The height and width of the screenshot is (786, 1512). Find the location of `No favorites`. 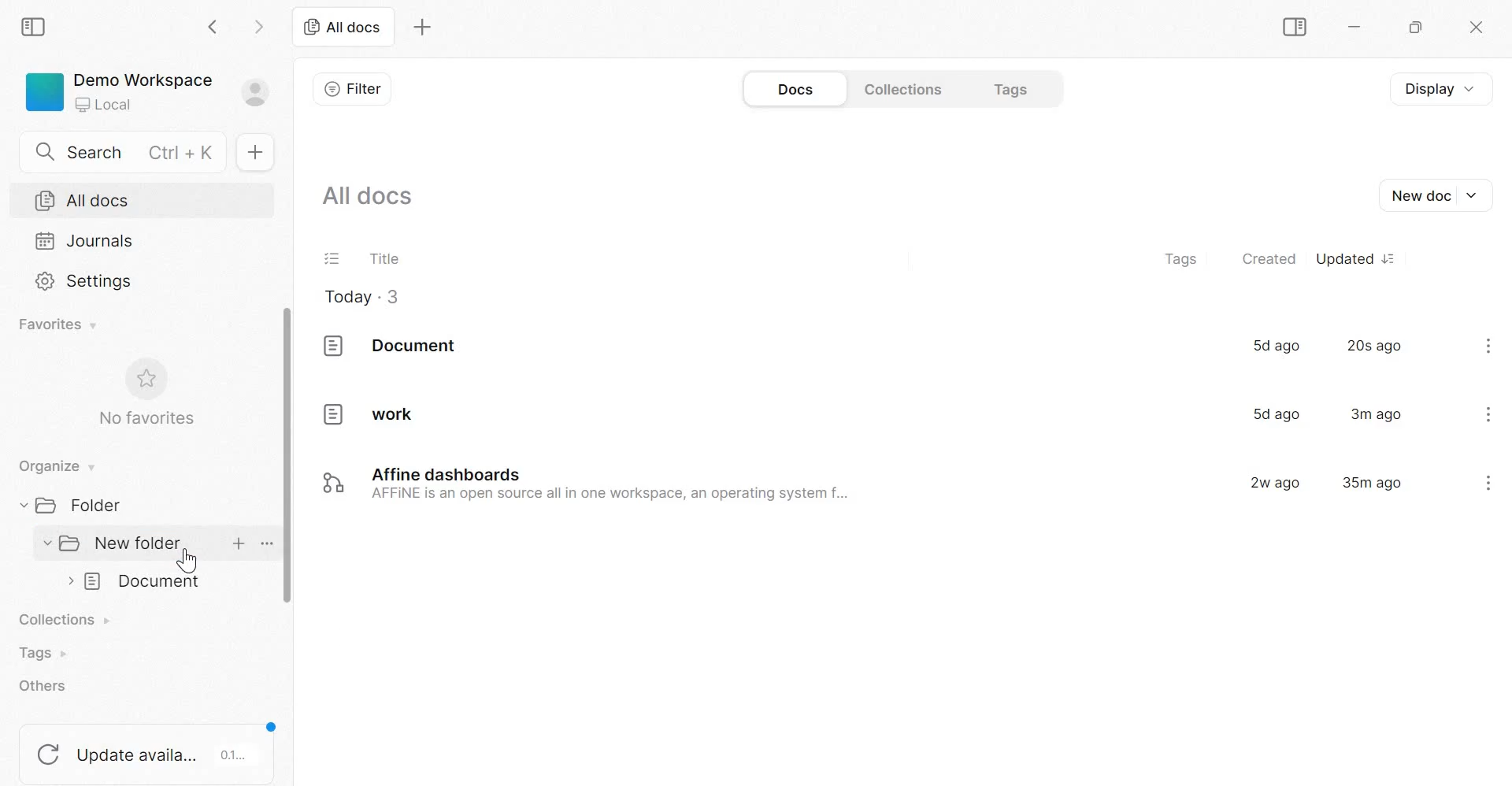

No favorites is located at coordinates (146, 395).